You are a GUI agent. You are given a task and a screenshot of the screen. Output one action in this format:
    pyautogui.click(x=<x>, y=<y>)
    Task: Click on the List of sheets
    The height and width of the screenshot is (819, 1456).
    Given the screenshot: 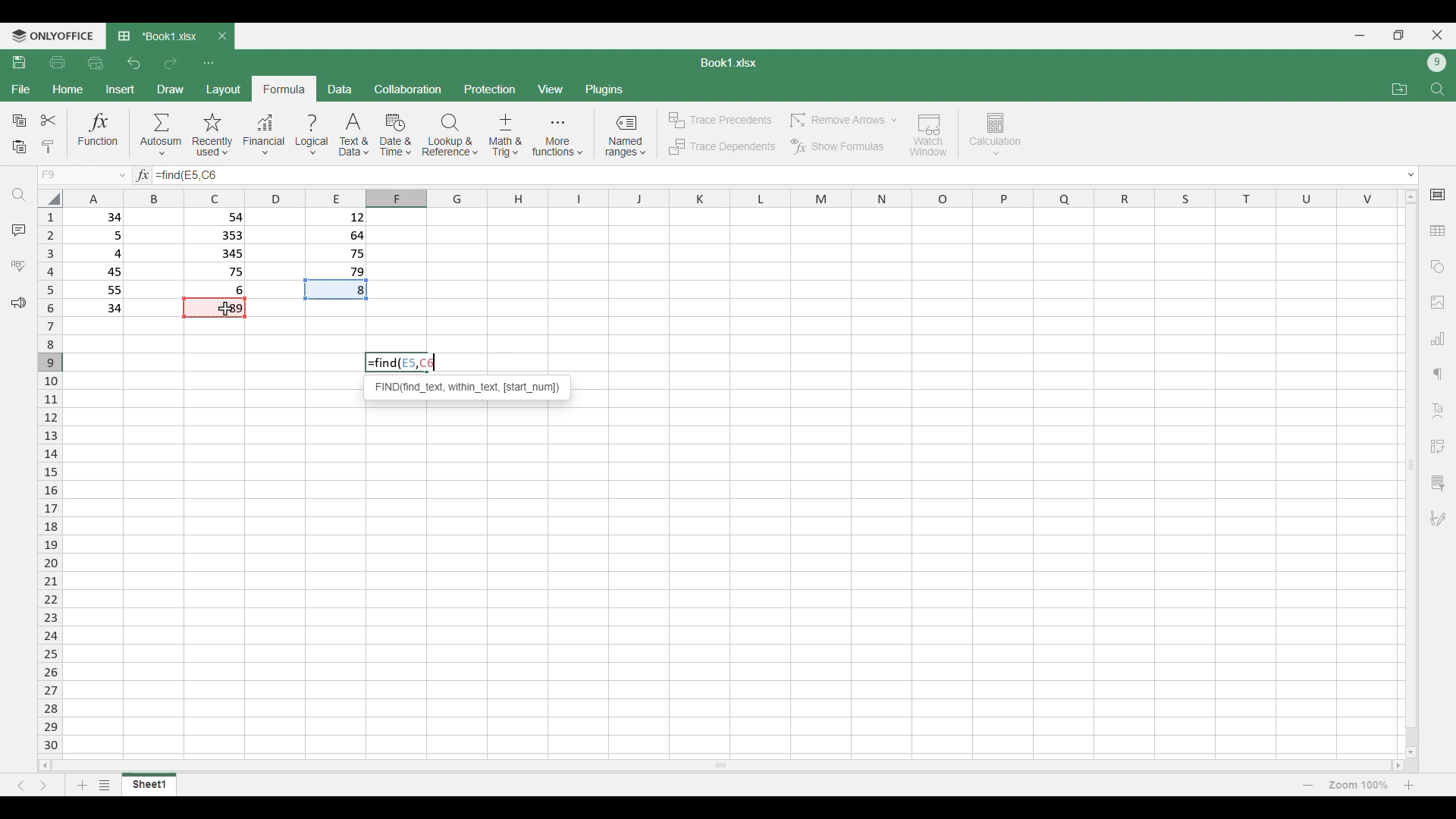 What is the action you would take?
    pyautogui.click(x=105, y=785)
    